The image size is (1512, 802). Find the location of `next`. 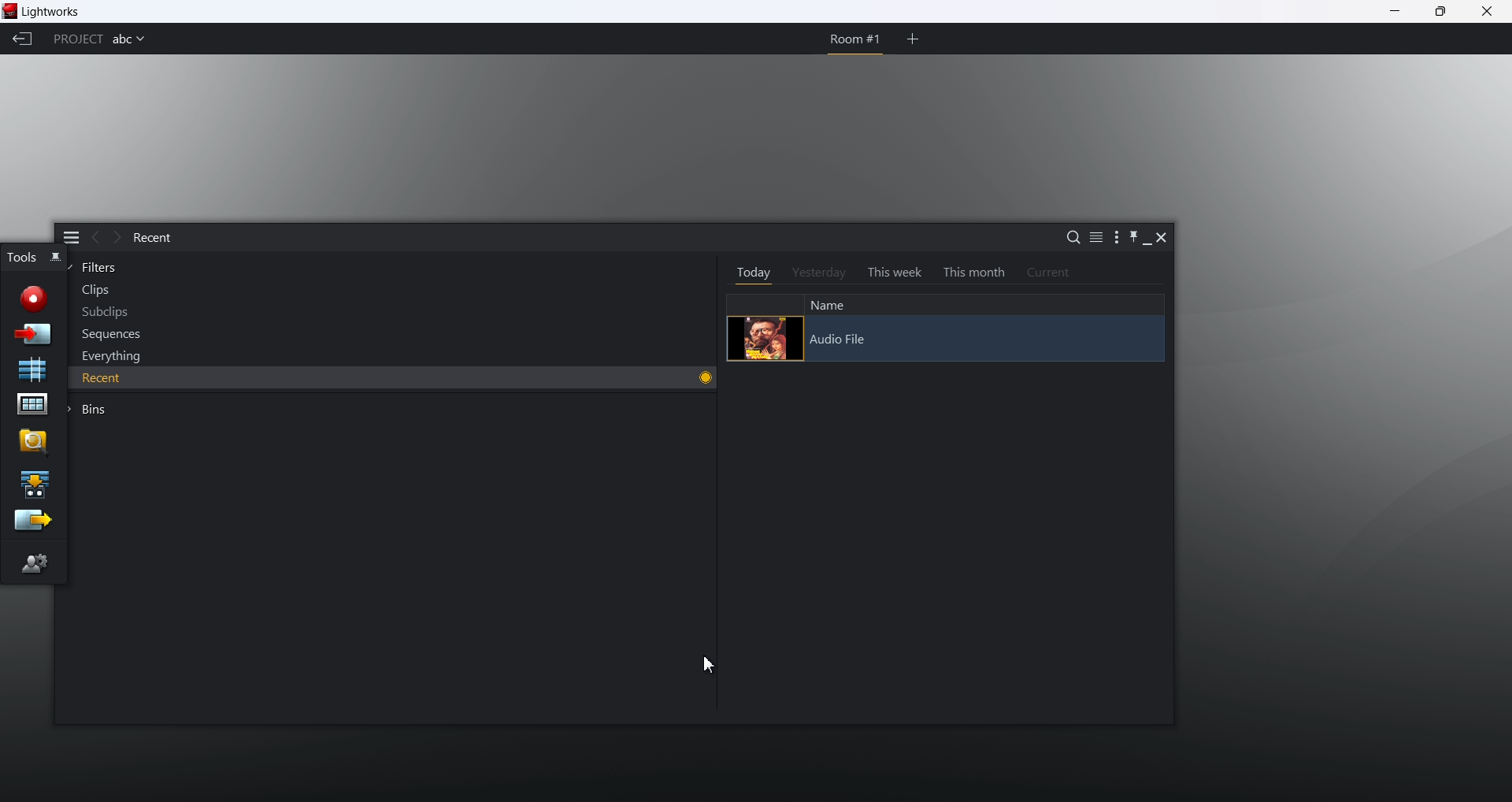

next is located at coordinates (115, 238).